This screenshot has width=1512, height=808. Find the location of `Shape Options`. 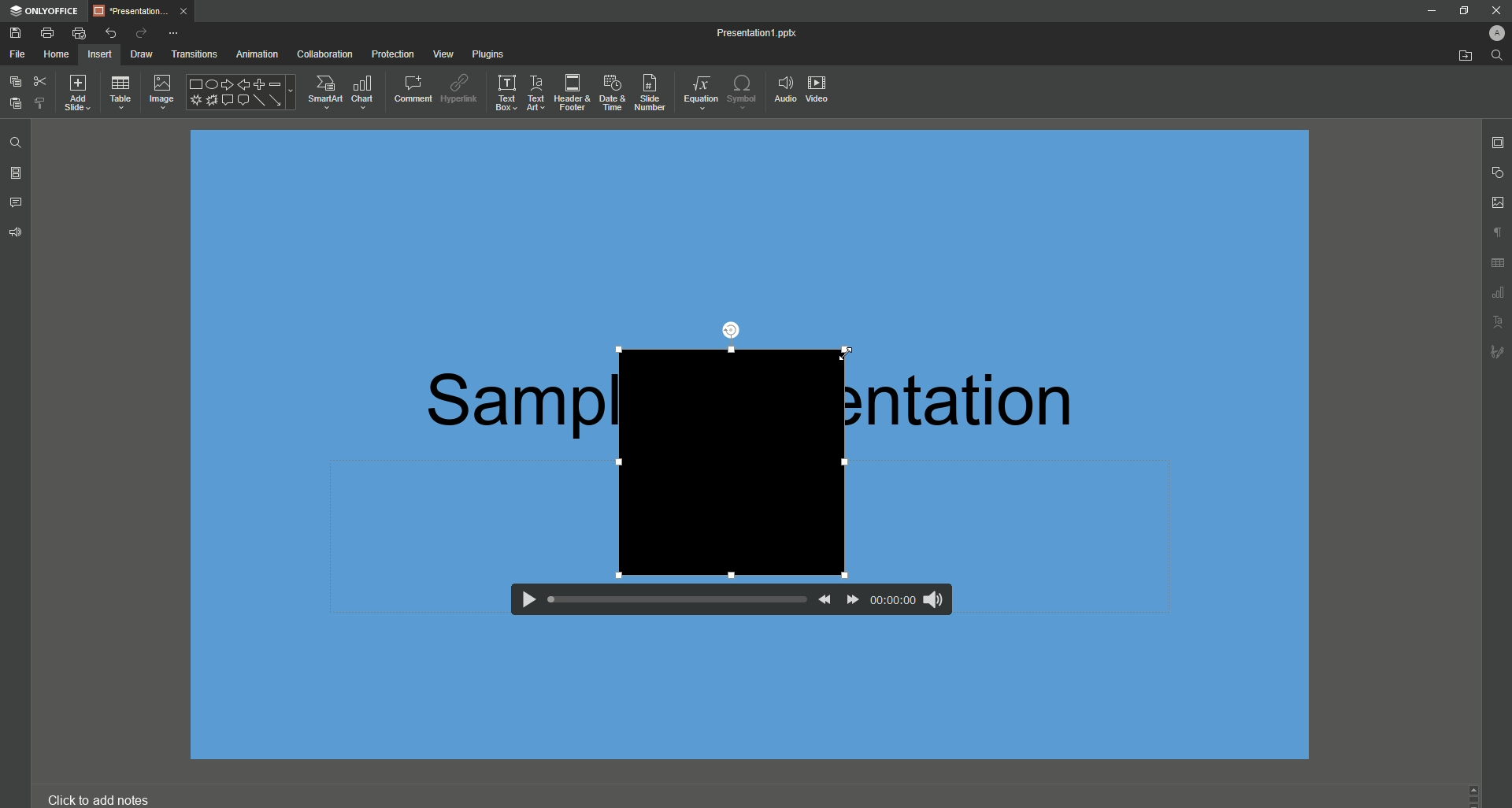

Shape Options is located at coordinates (240, 93).